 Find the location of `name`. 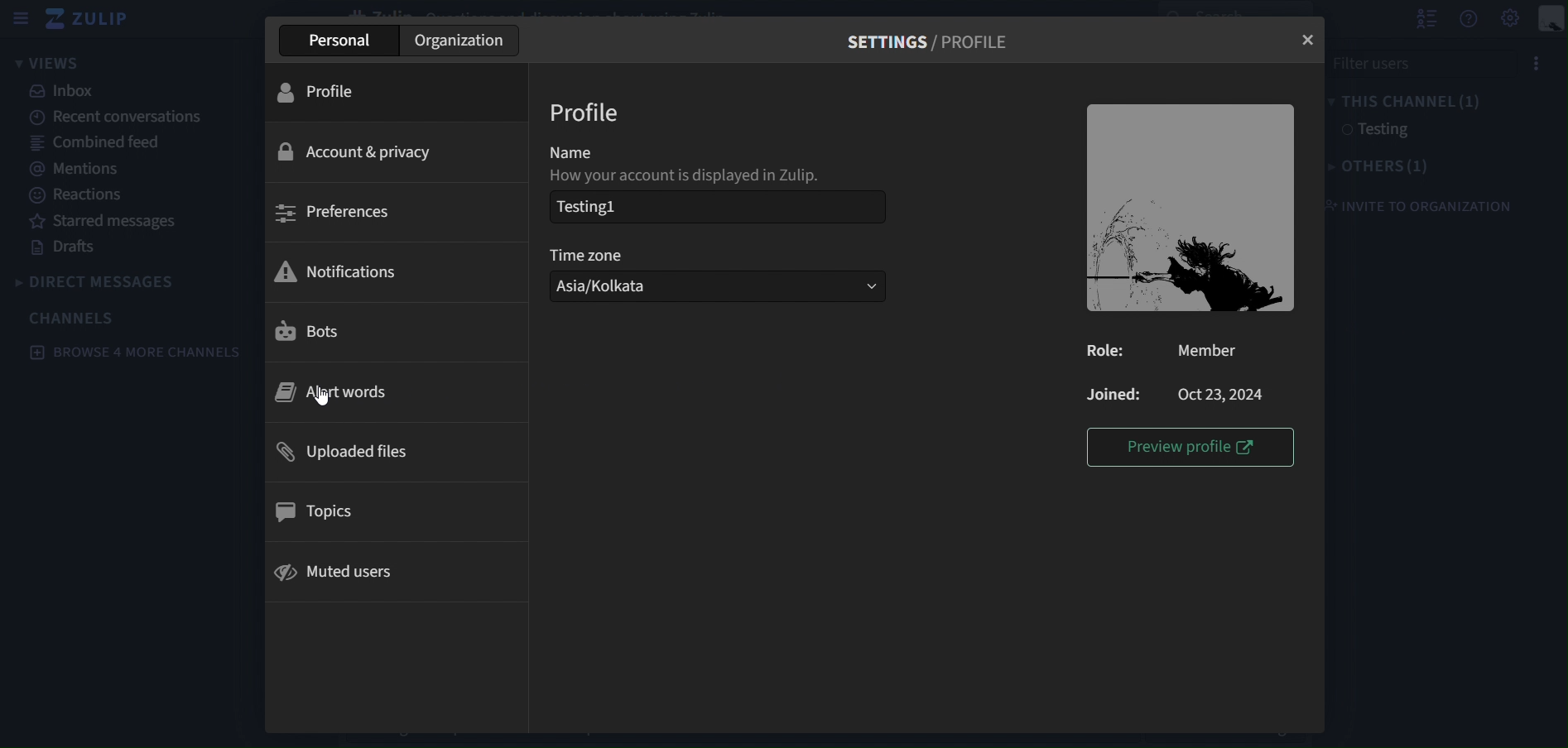

name is located at coordinates (603, 155).